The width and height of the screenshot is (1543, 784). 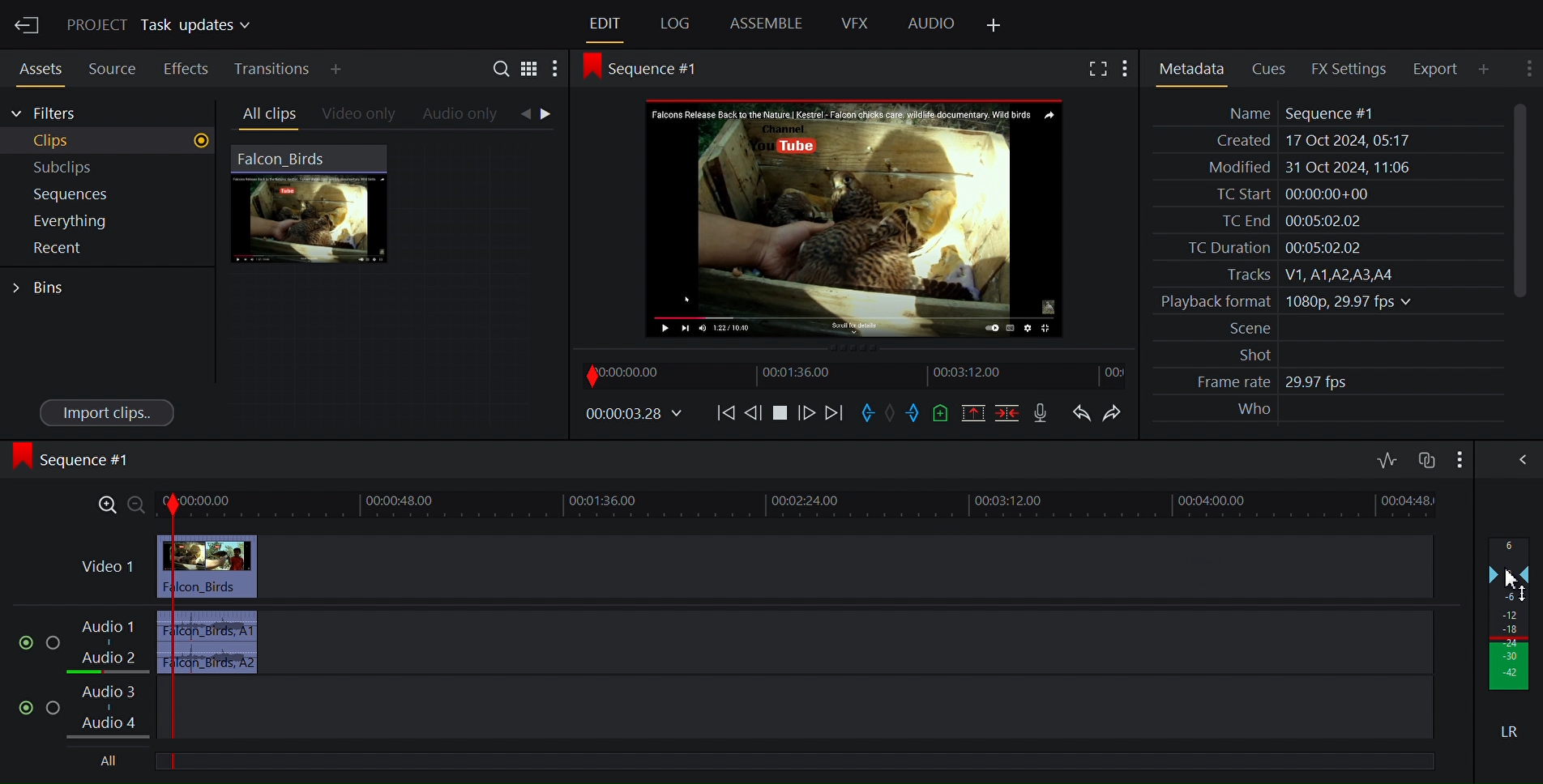 I want to click on Navigation, so click(x=545, y=116).